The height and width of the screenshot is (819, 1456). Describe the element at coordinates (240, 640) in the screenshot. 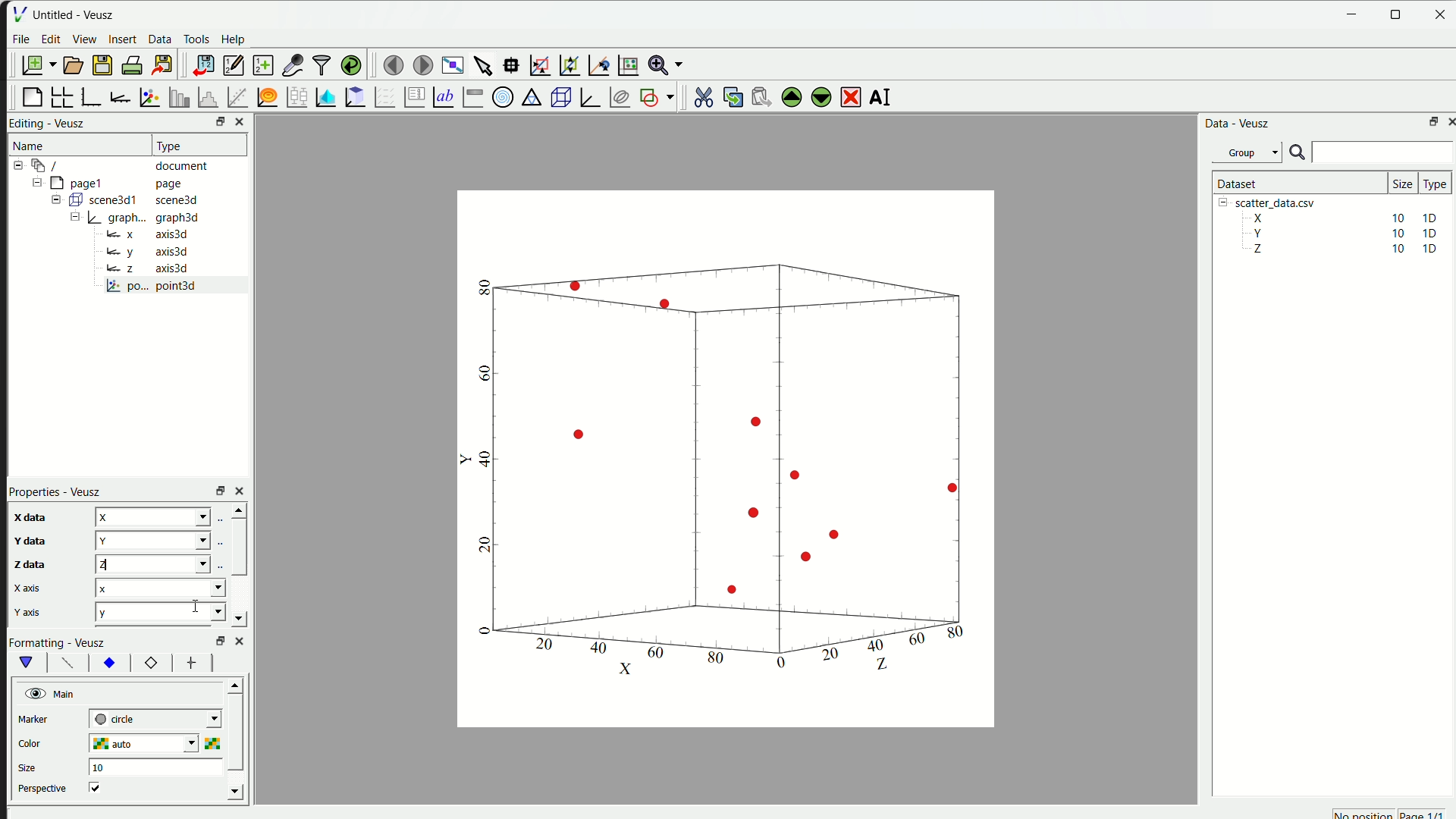

I see `close` at that location.